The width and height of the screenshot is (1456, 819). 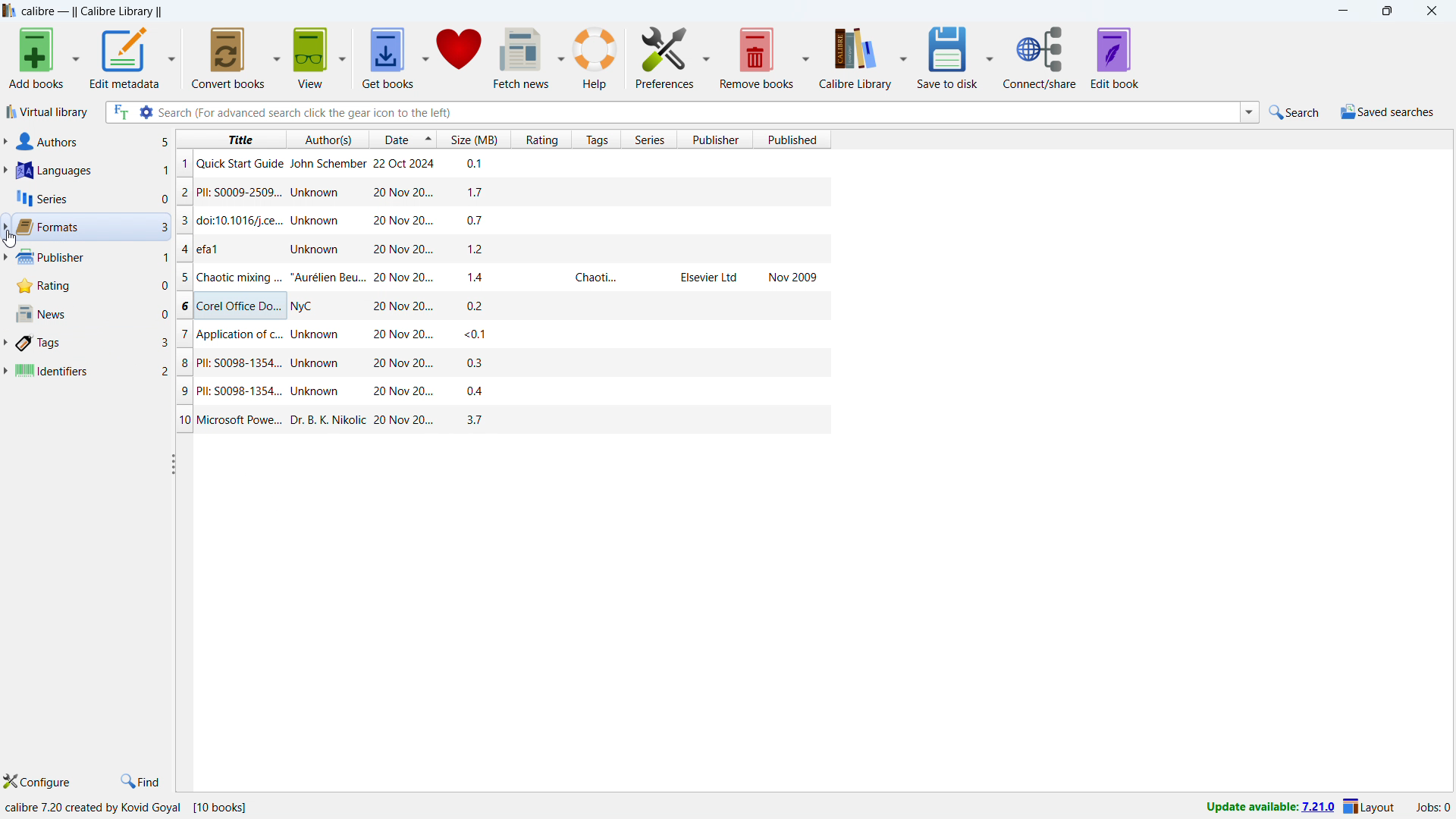 What do you see at coordinates (1040, 58) in the screenshot?
I see `connect/share` at bounding box center [1040, 58].